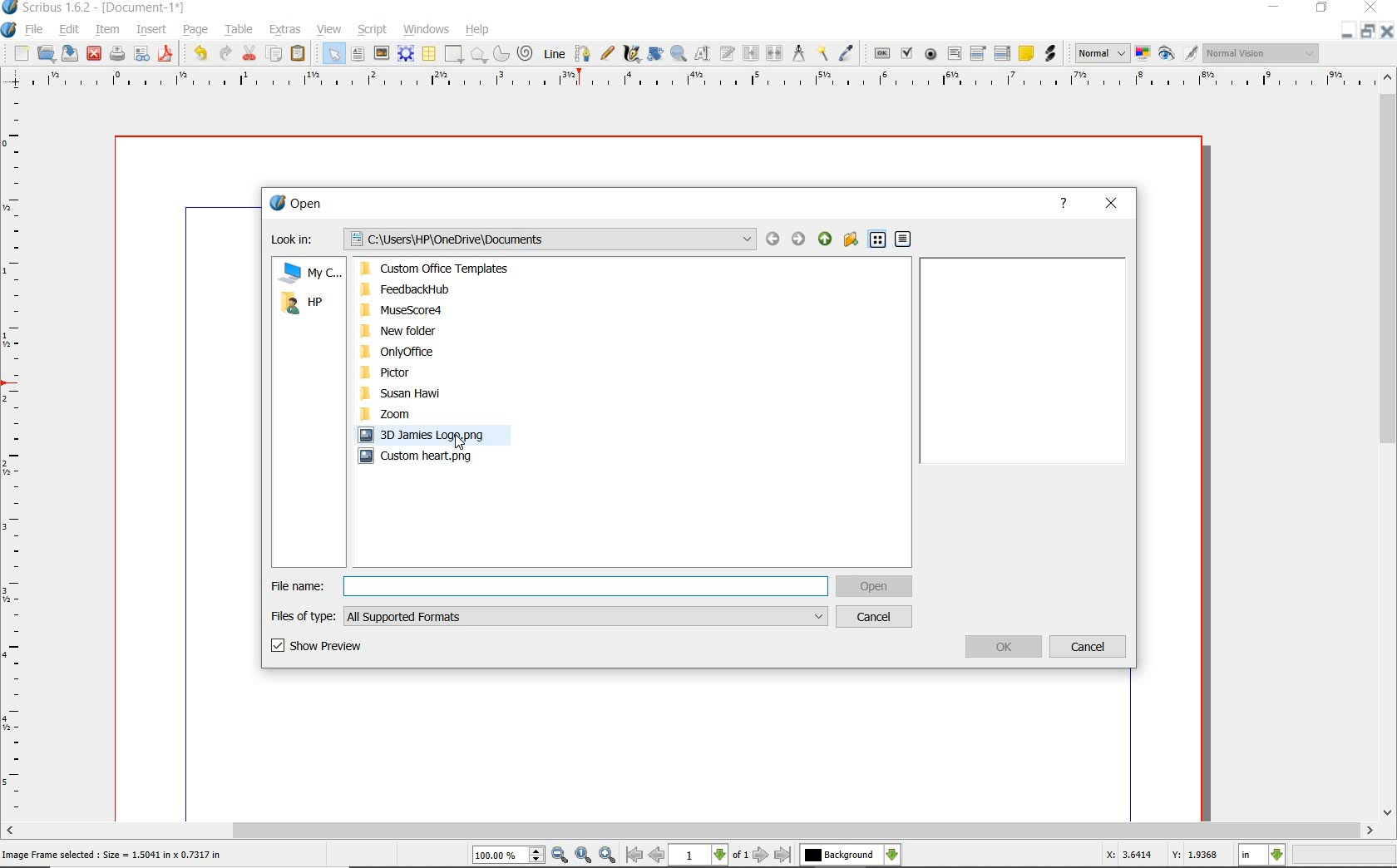 The width and height of the screenshot is (1397, 868). What do you see at coordinates (47, 54) in the screenshot?
I see `open` at bounding box center [47, 54].